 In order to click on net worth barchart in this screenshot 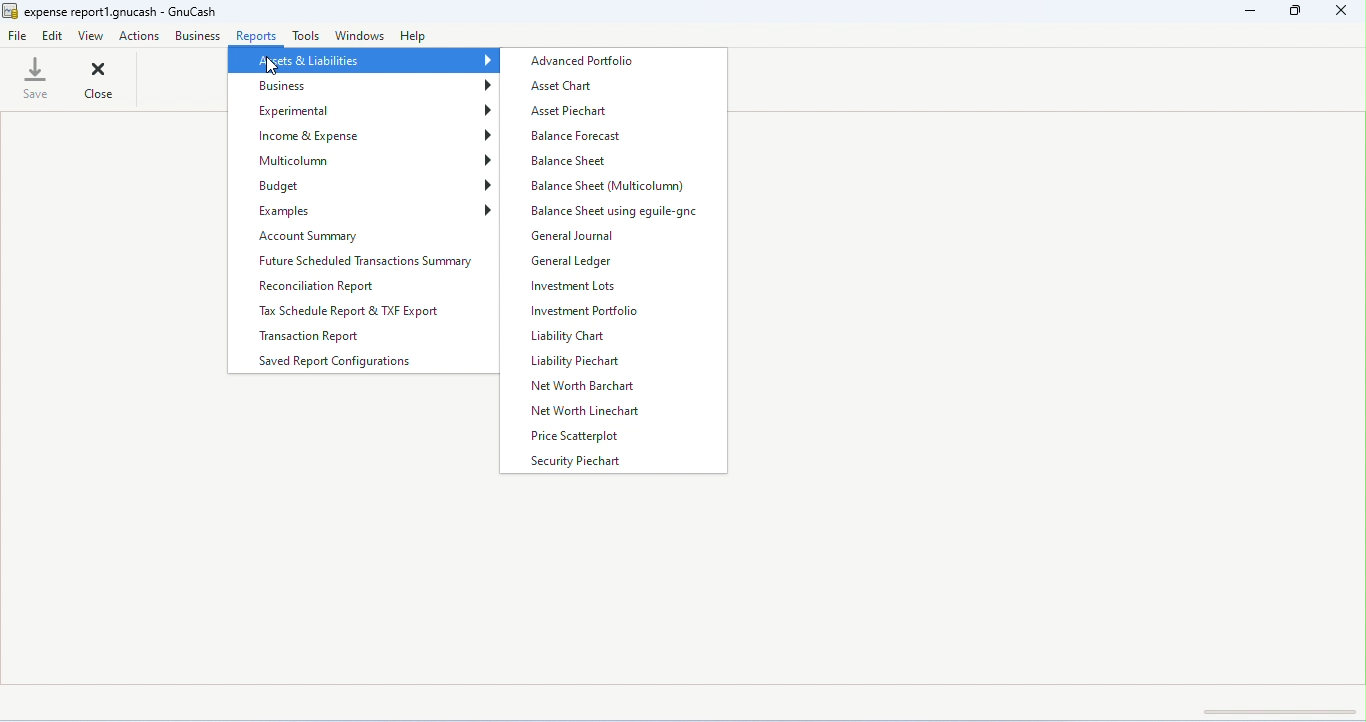, I will do `click(585, 386)`.